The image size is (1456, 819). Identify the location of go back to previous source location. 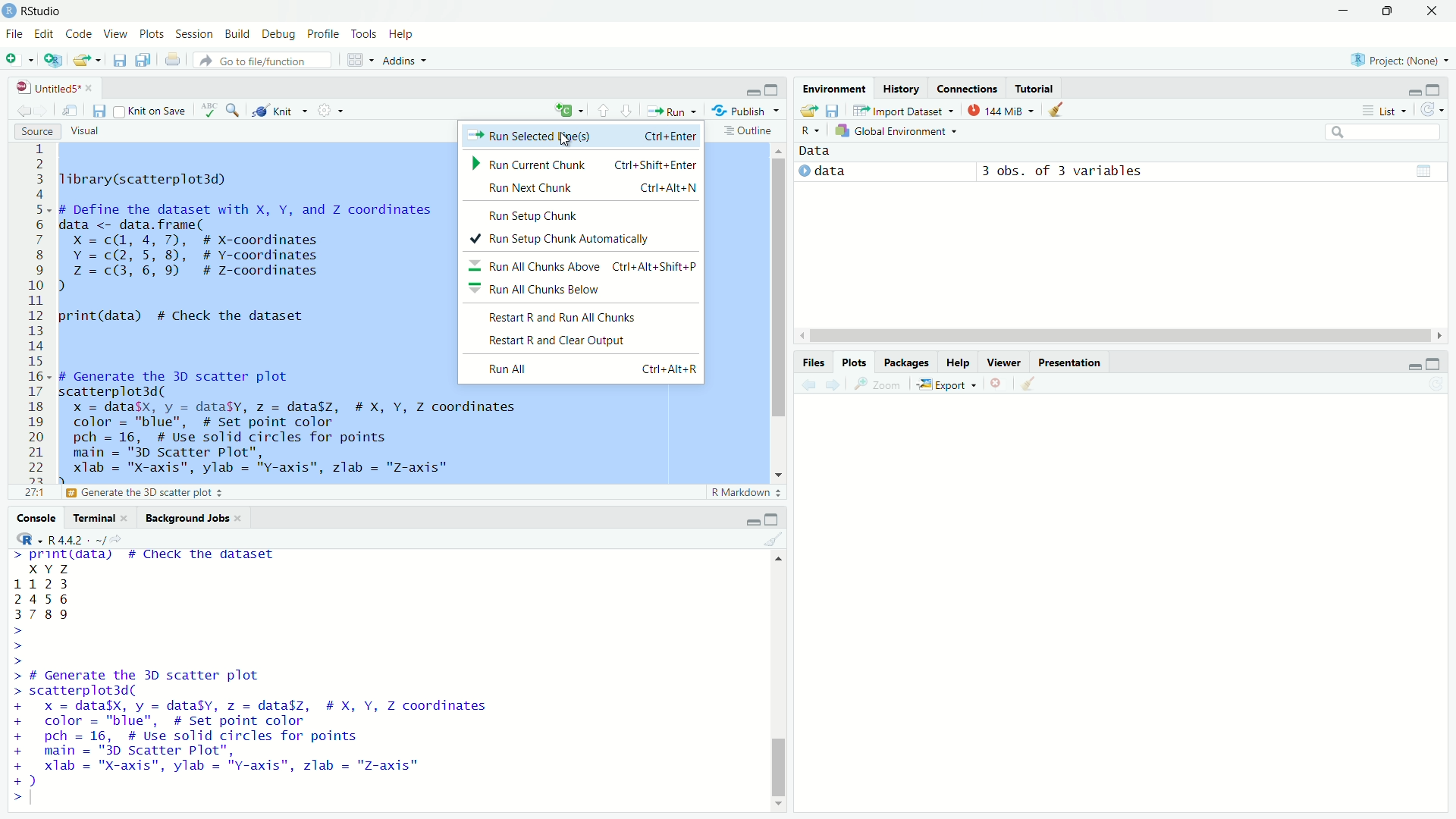
(15, 110).